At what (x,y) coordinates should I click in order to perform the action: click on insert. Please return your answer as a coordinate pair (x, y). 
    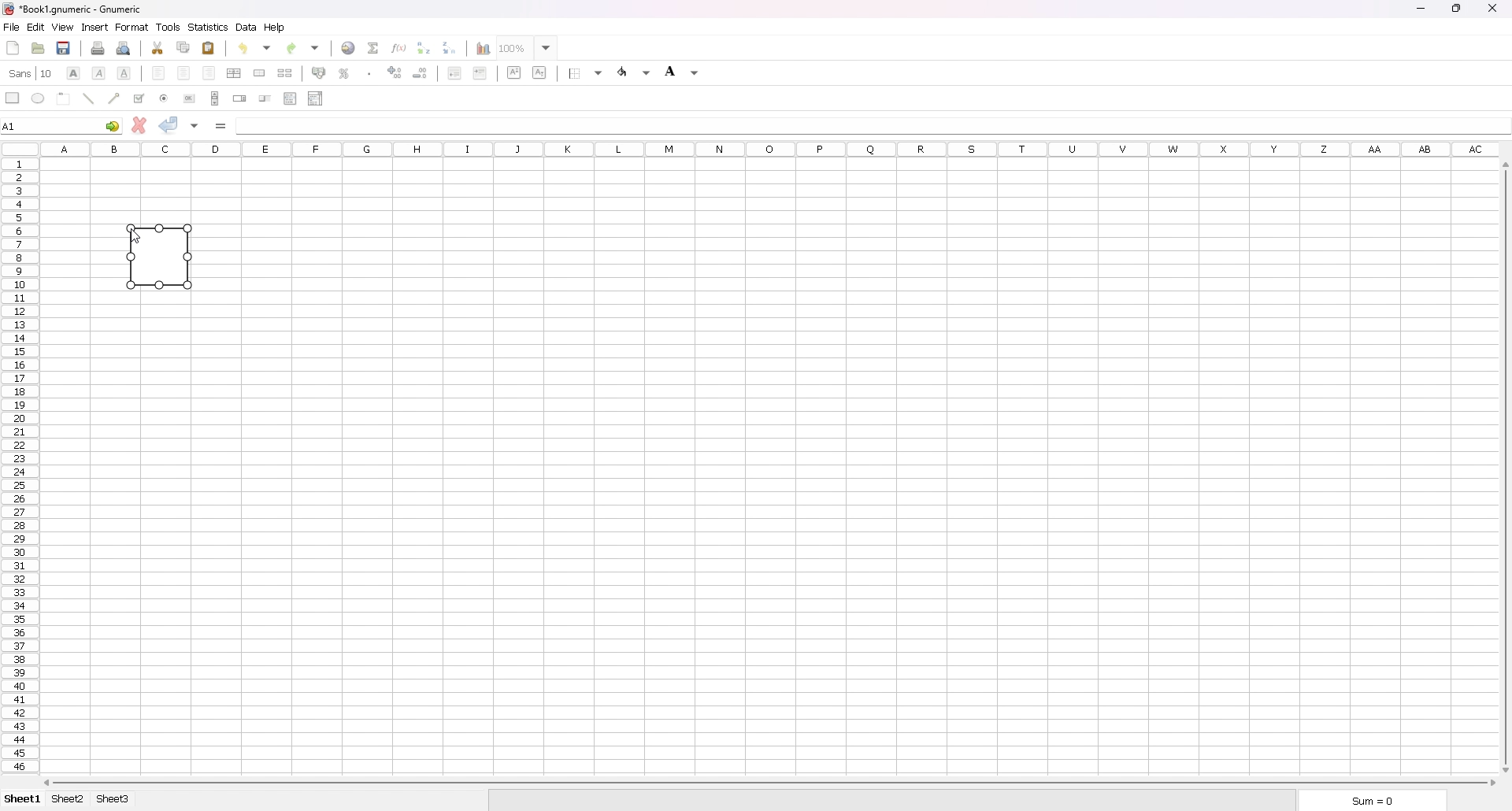
    Looking at the image, I should click on (95, 27).